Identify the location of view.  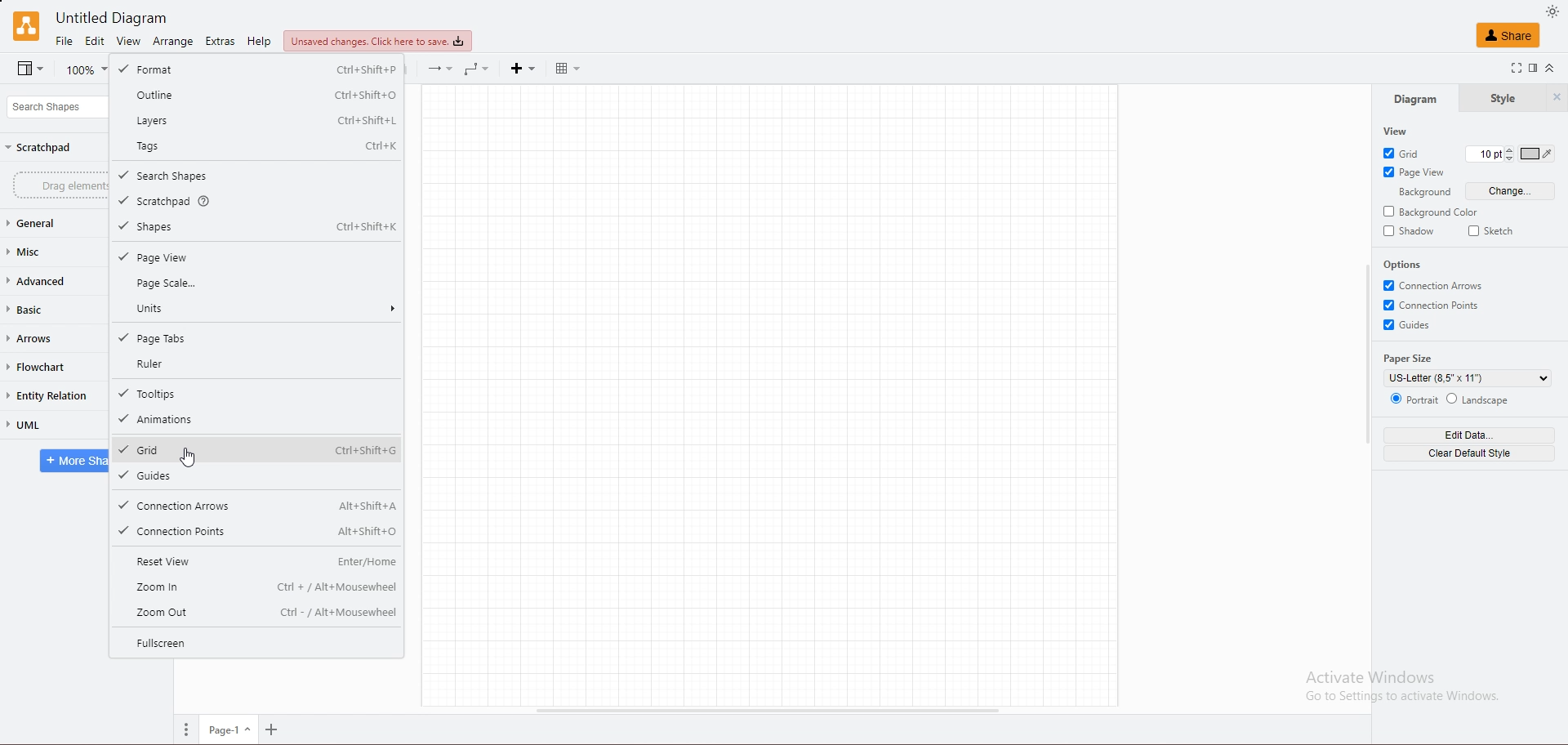
(127, 42).